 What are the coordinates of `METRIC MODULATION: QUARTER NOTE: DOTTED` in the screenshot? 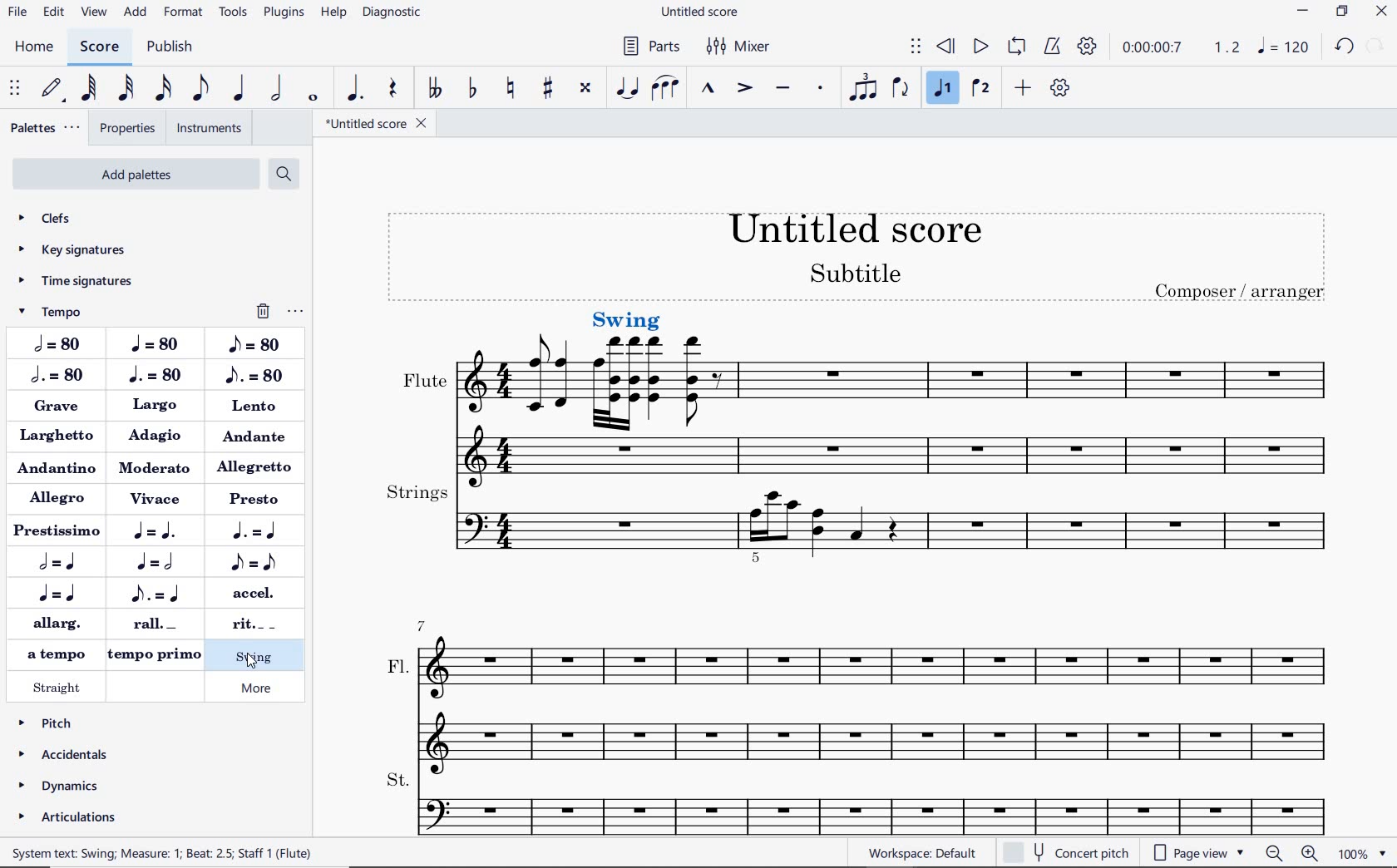 It's located at (159, 534).